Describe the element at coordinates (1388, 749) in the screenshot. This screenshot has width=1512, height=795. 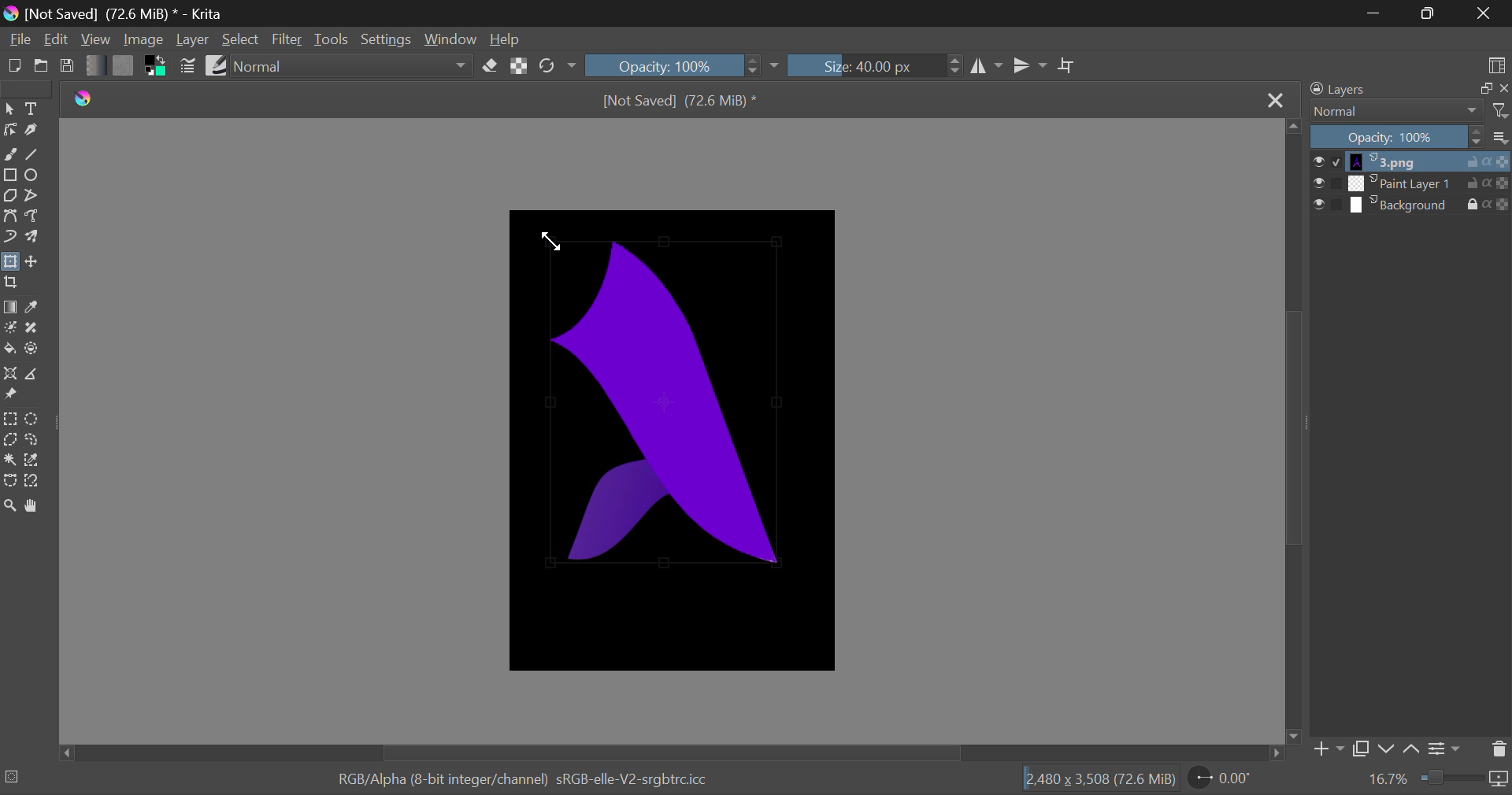
I see `down Movement of Layer` at that location.